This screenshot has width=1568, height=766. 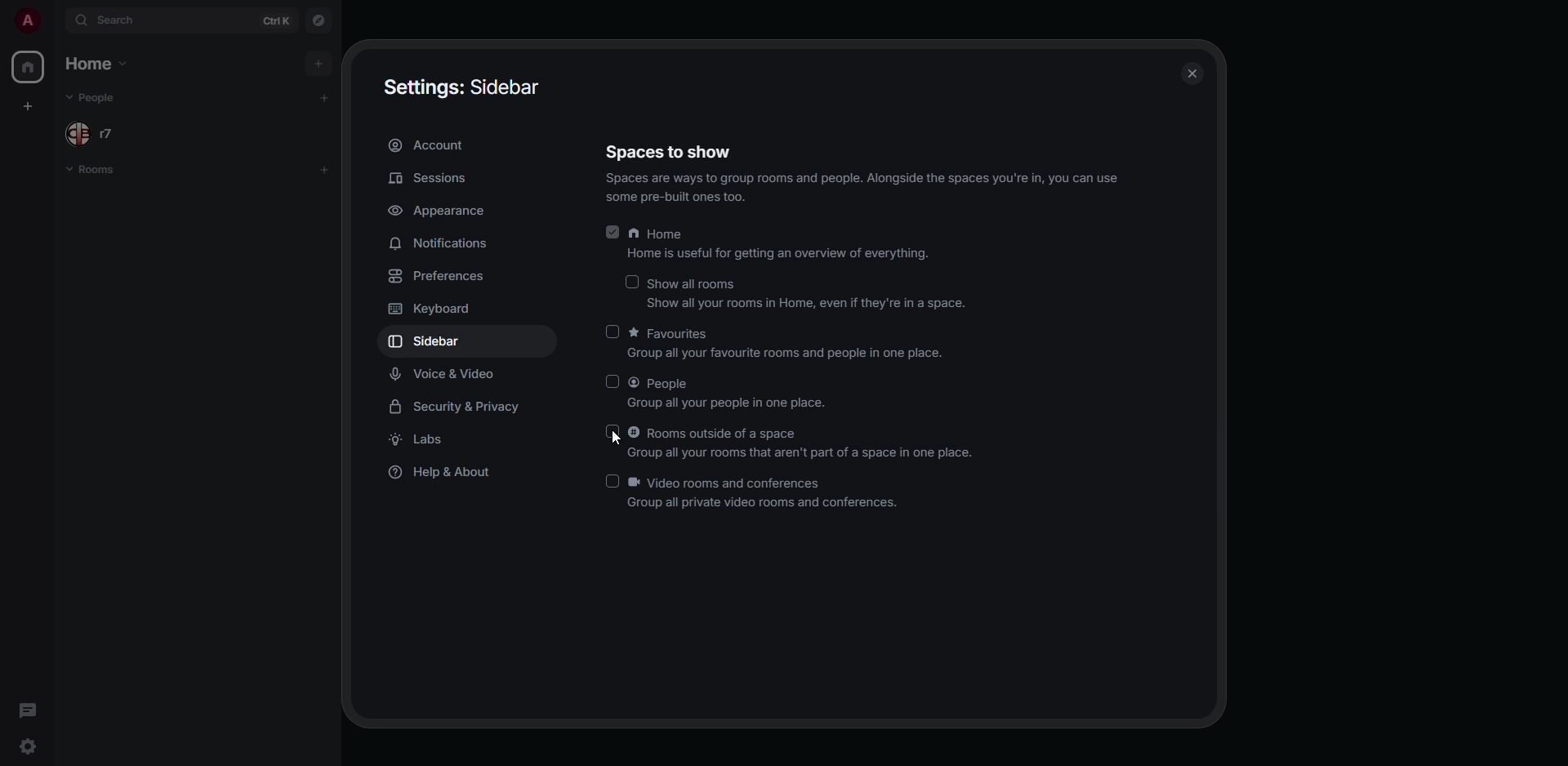 I want to click on add, so click(x=316, y=62).